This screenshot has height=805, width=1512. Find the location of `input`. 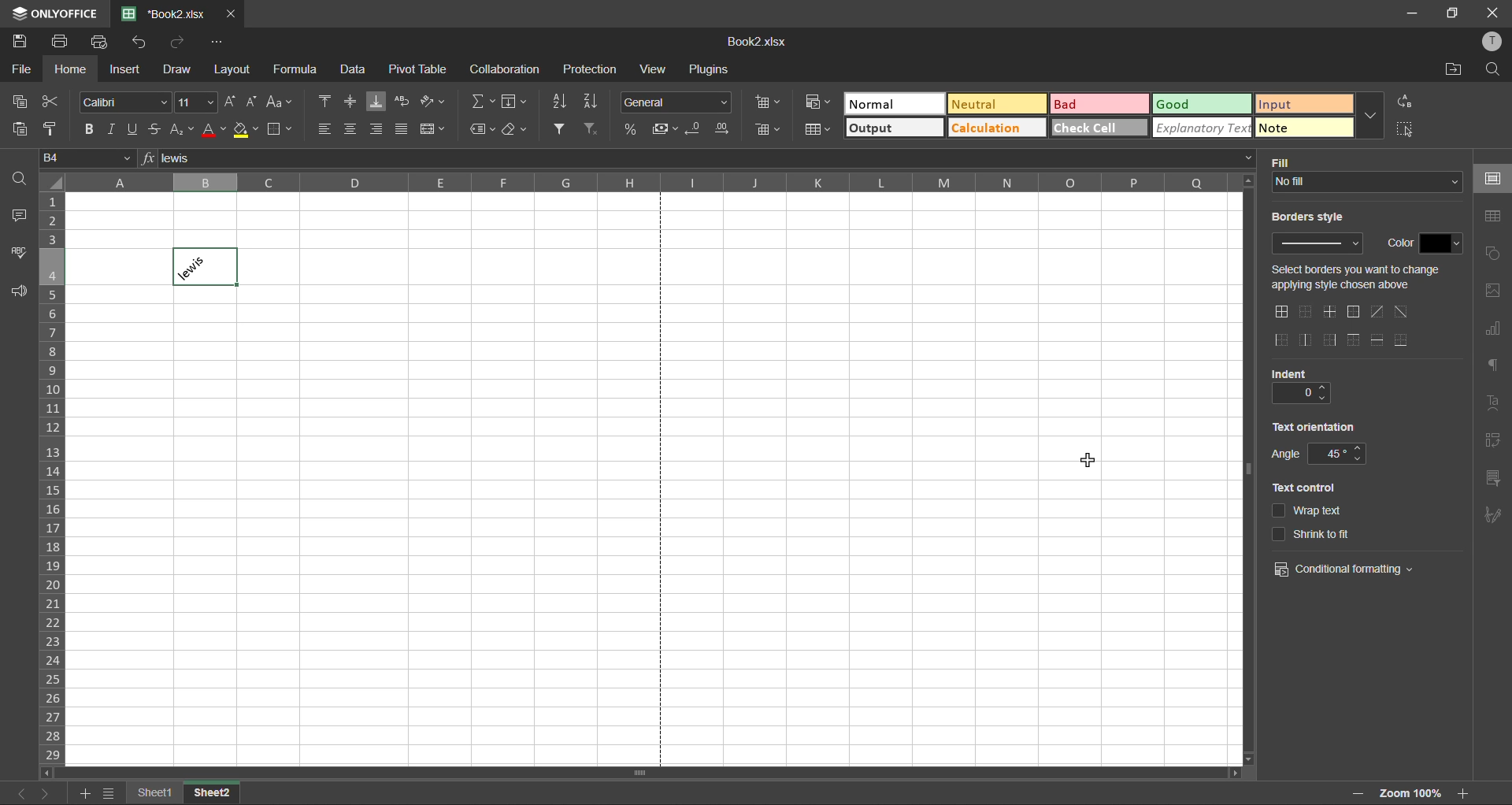

input is located at coordinates (1304, 103).